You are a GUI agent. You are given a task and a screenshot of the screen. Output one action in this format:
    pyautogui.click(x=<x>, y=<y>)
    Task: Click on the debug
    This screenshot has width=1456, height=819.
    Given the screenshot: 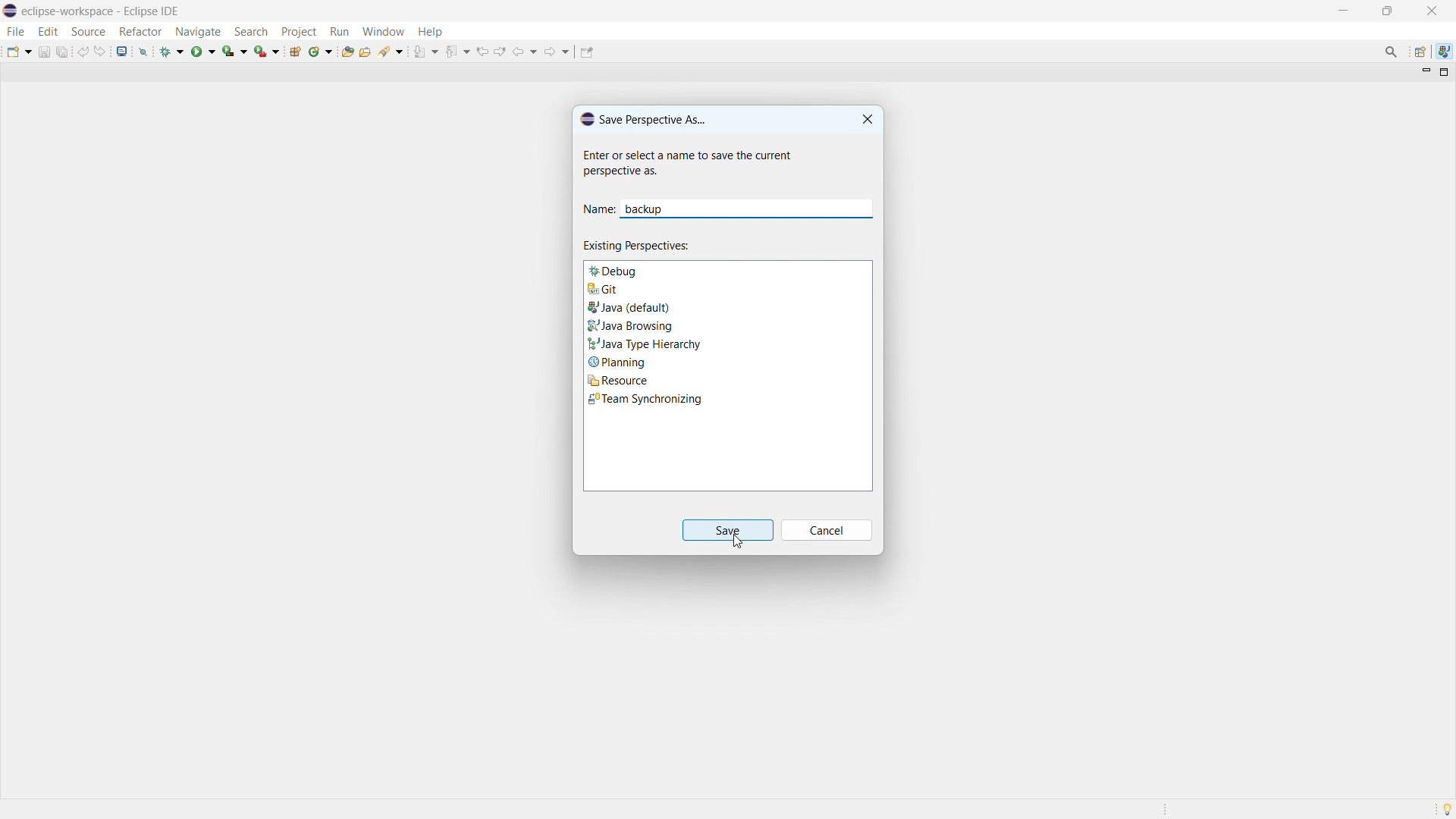 What is the action you would take?
    pyautogui.click(x=727, y=269)
    